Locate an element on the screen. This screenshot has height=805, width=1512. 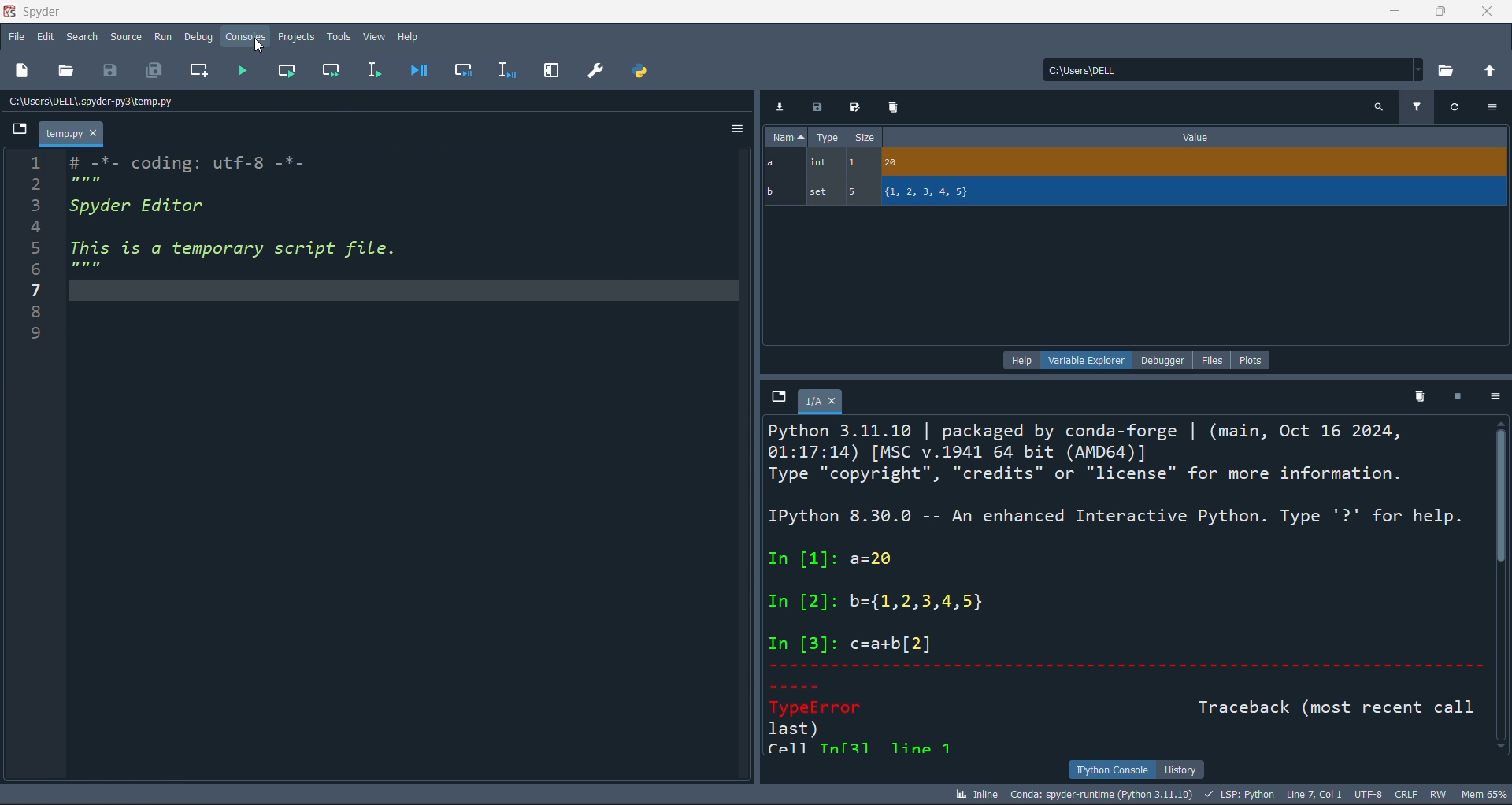
preferences is located at coordinates (595, 69).